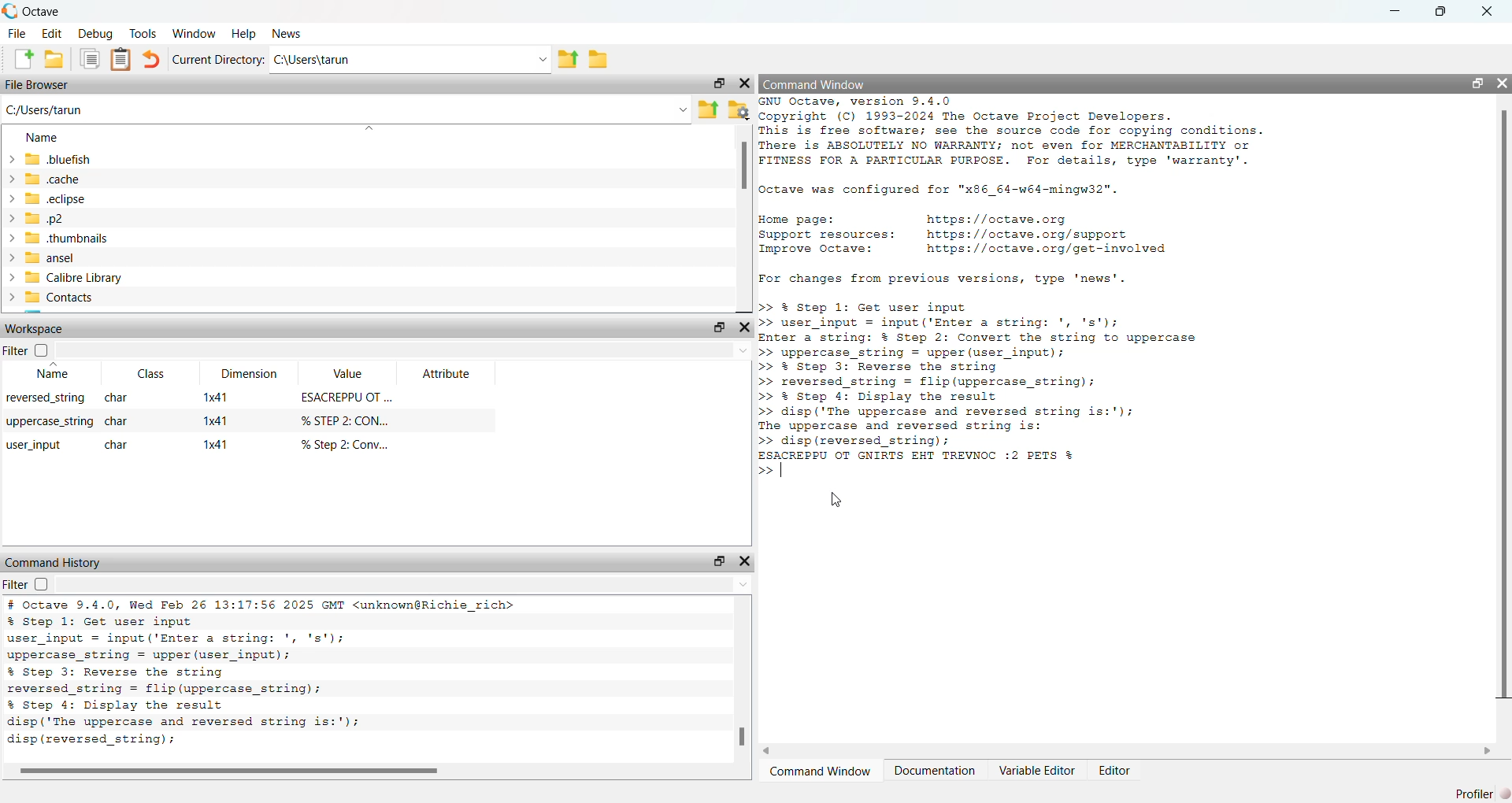 The image size is (1512, 803). What do you see at coordinates (409, 353) in the screenshot?
I see `filter input field` at bounding box center [409, 353].